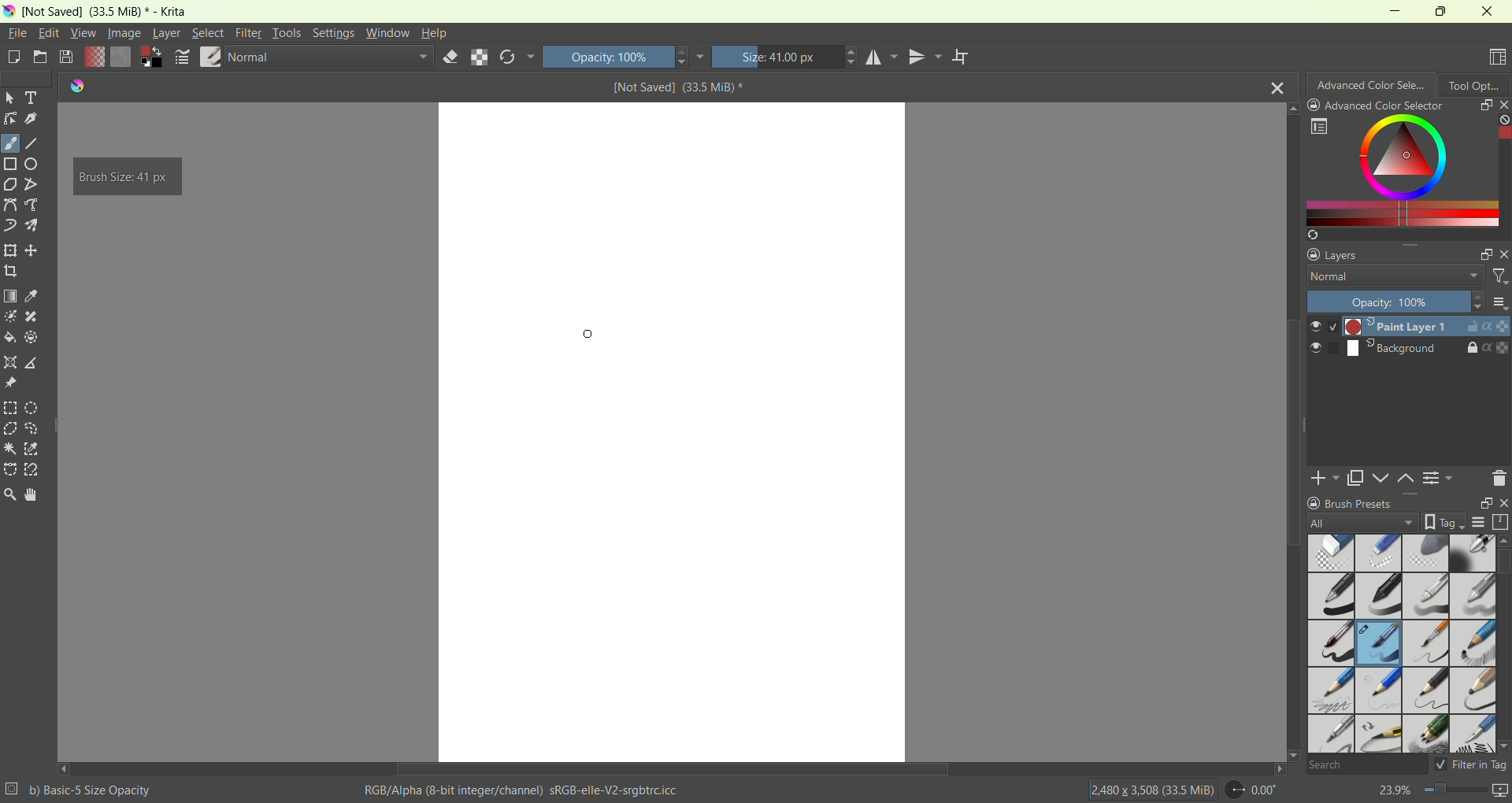  I want to click on Background, so click(1372, 349).